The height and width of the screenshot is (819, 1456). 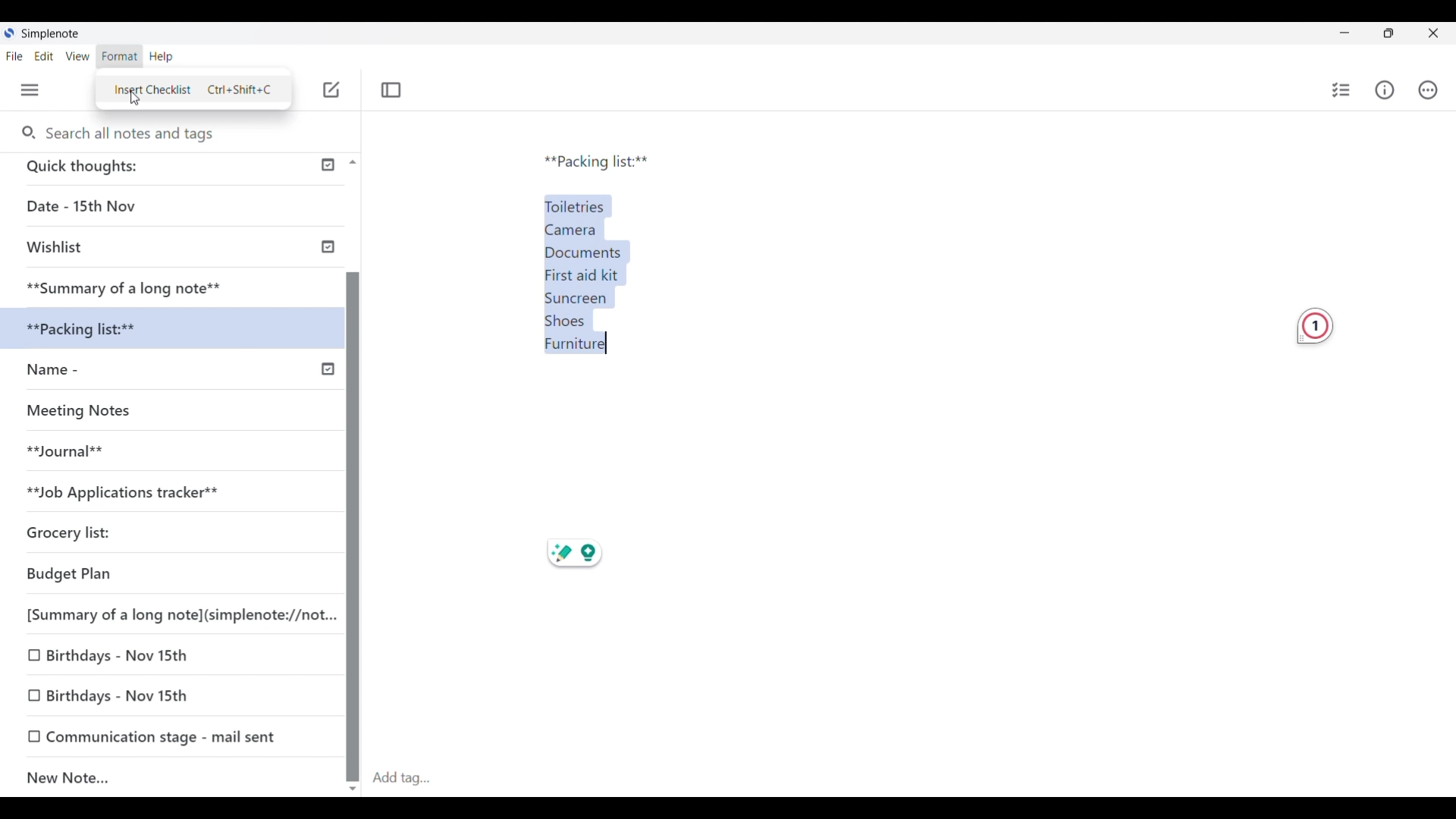 What do you see at coordinates (91, 414) in the screenshot?
I see `Missing Notes` at bounding box center [91, 414].